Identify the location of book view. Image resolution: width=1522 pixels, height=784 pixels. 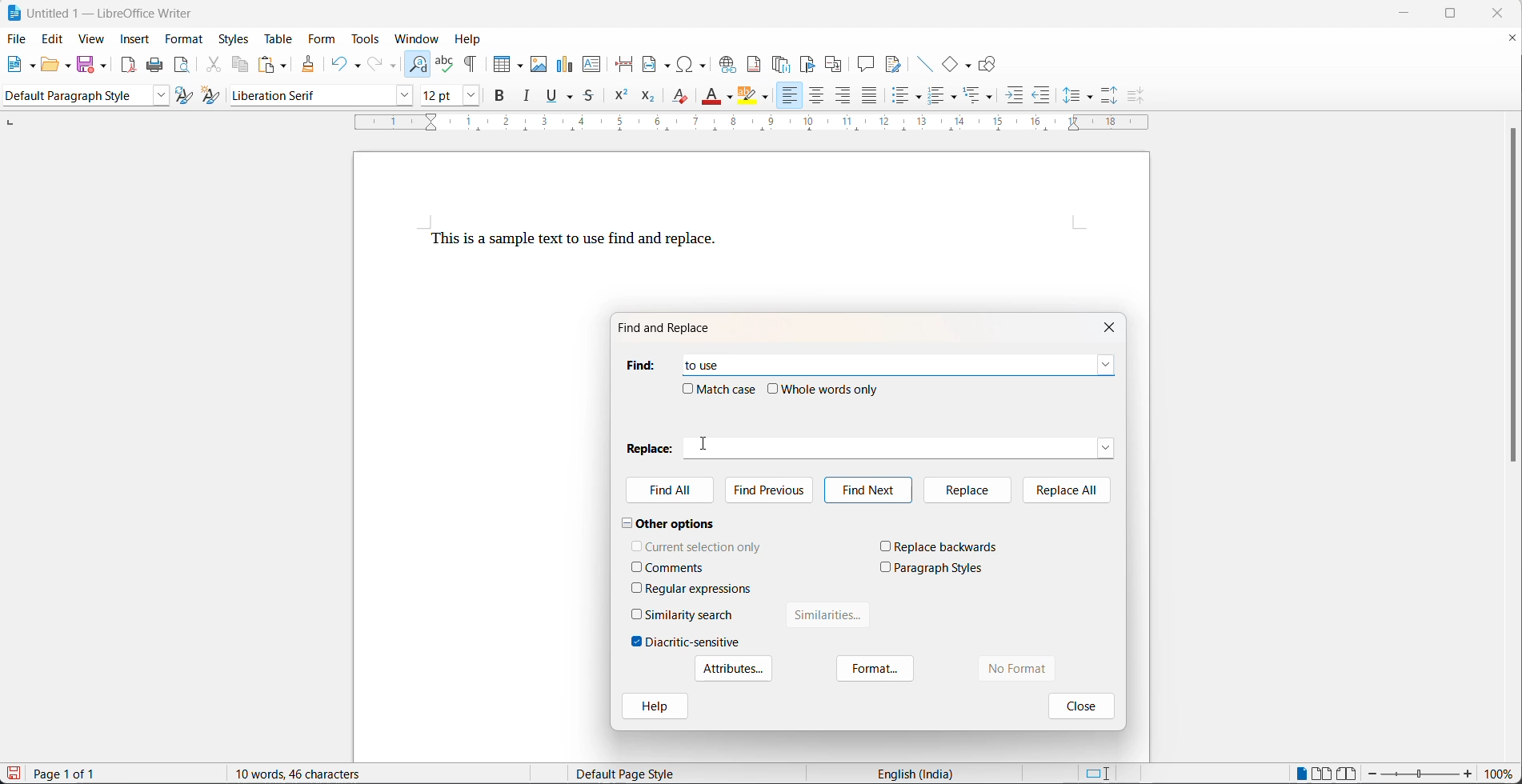
(1348, 773).